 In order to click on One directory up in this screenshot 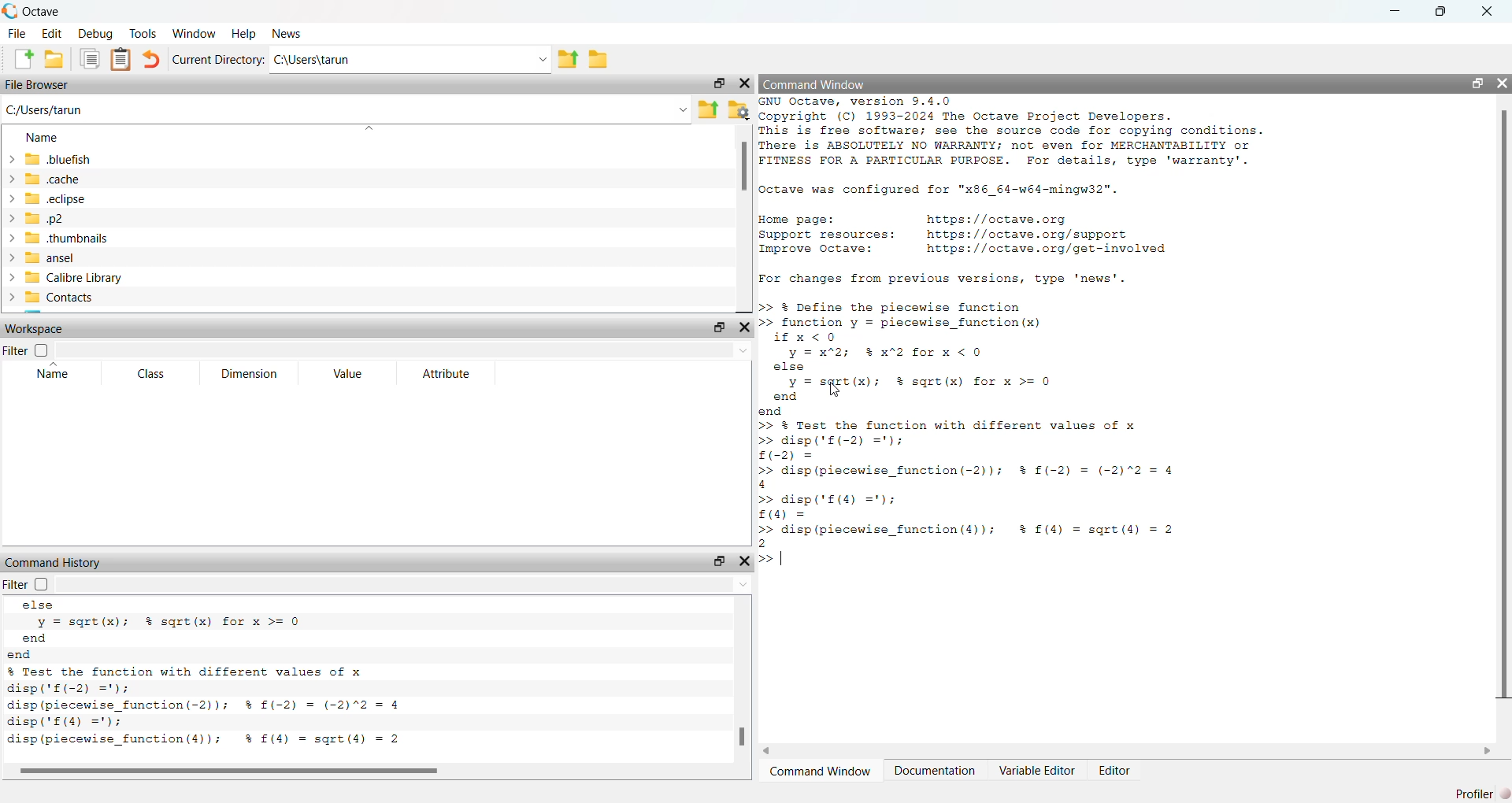, I will do `click(569, 60)`.